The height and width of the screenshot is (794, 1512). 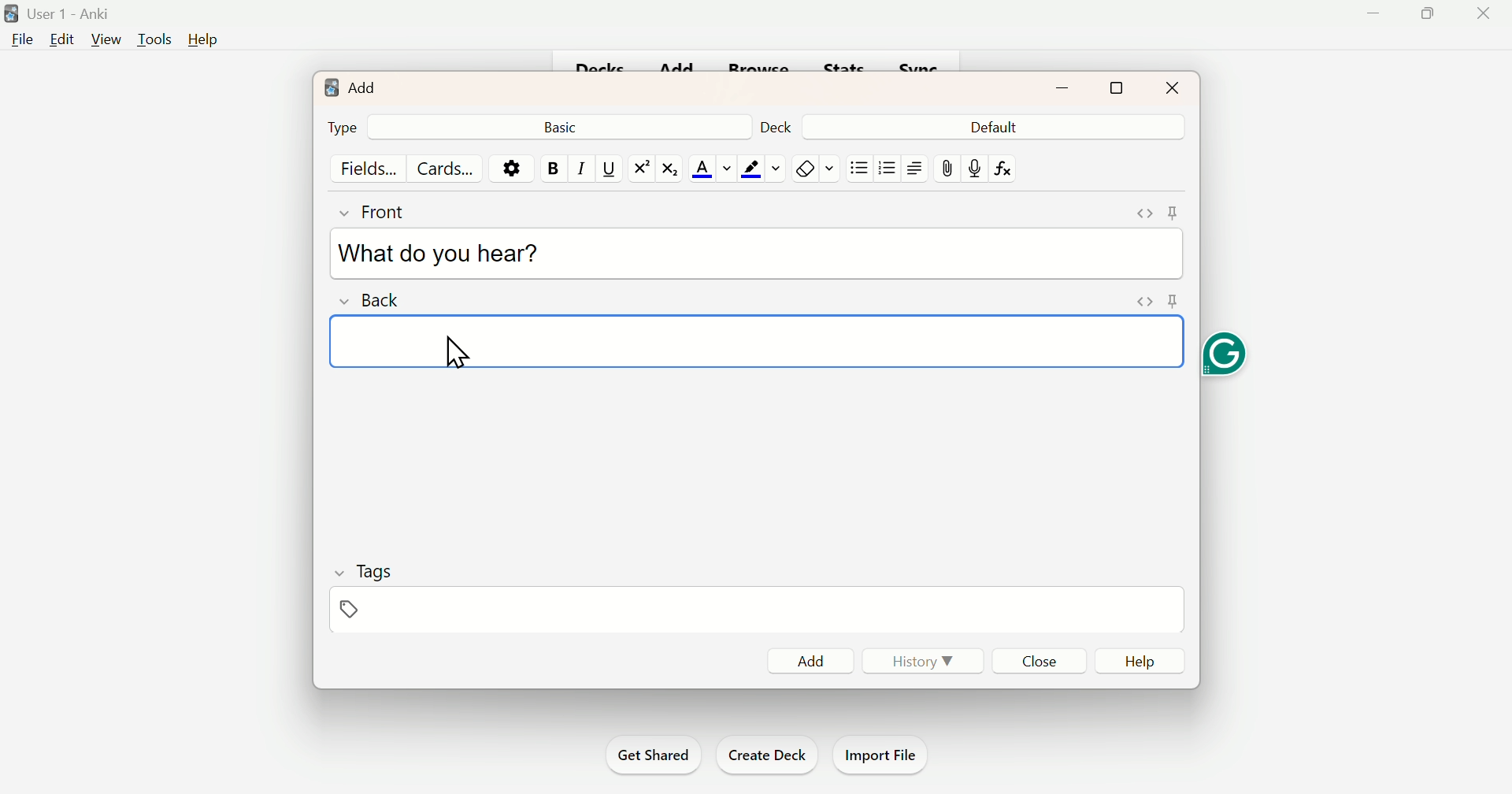 What do you see at coordinates (914, 168) in the screenshot?
I see `Right side` at bounding box center [914, 168].